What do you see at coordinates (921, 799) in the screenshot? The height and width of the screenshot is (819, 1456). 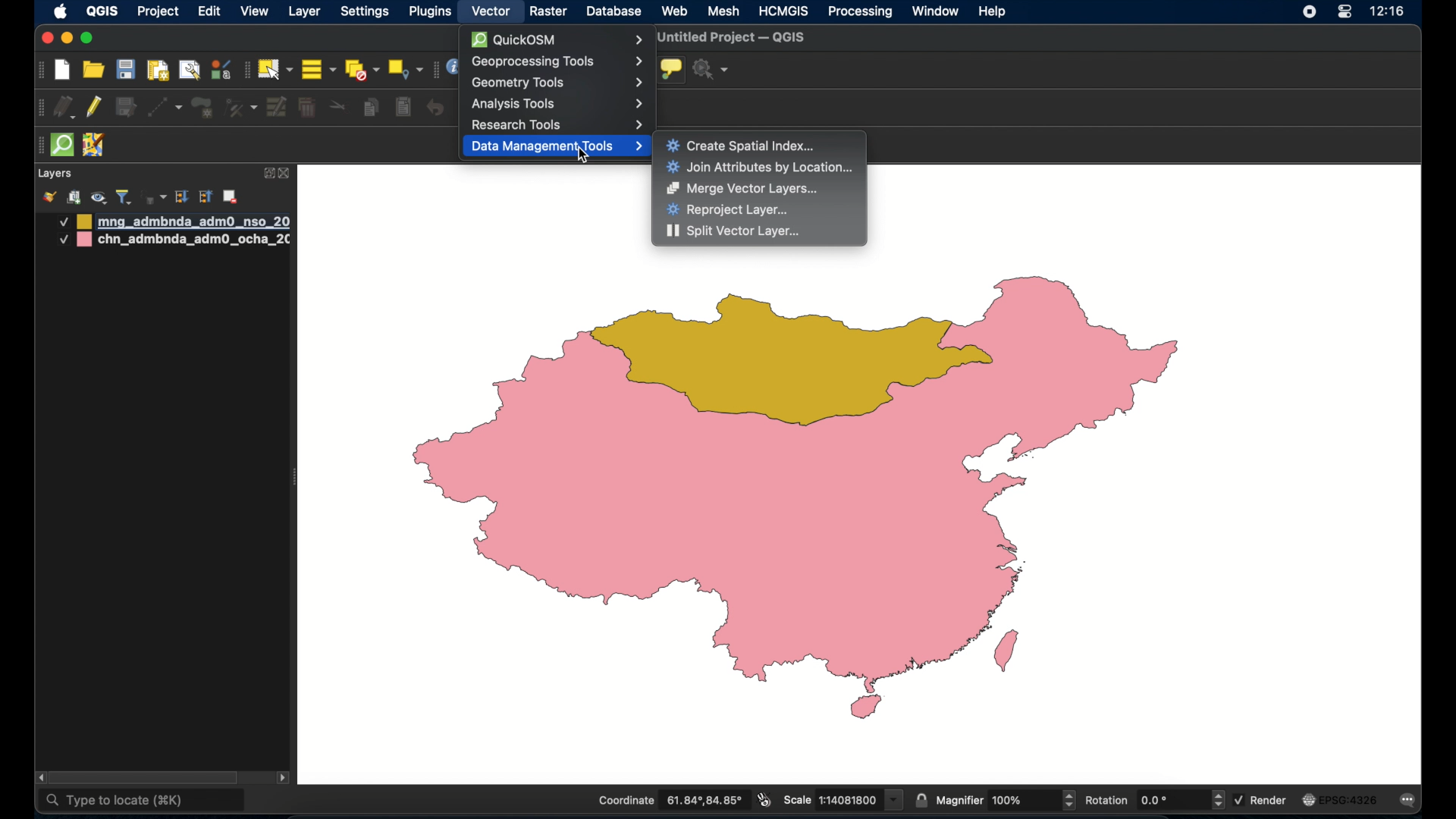 I see `lock scale` at bounding box center [921, 799].